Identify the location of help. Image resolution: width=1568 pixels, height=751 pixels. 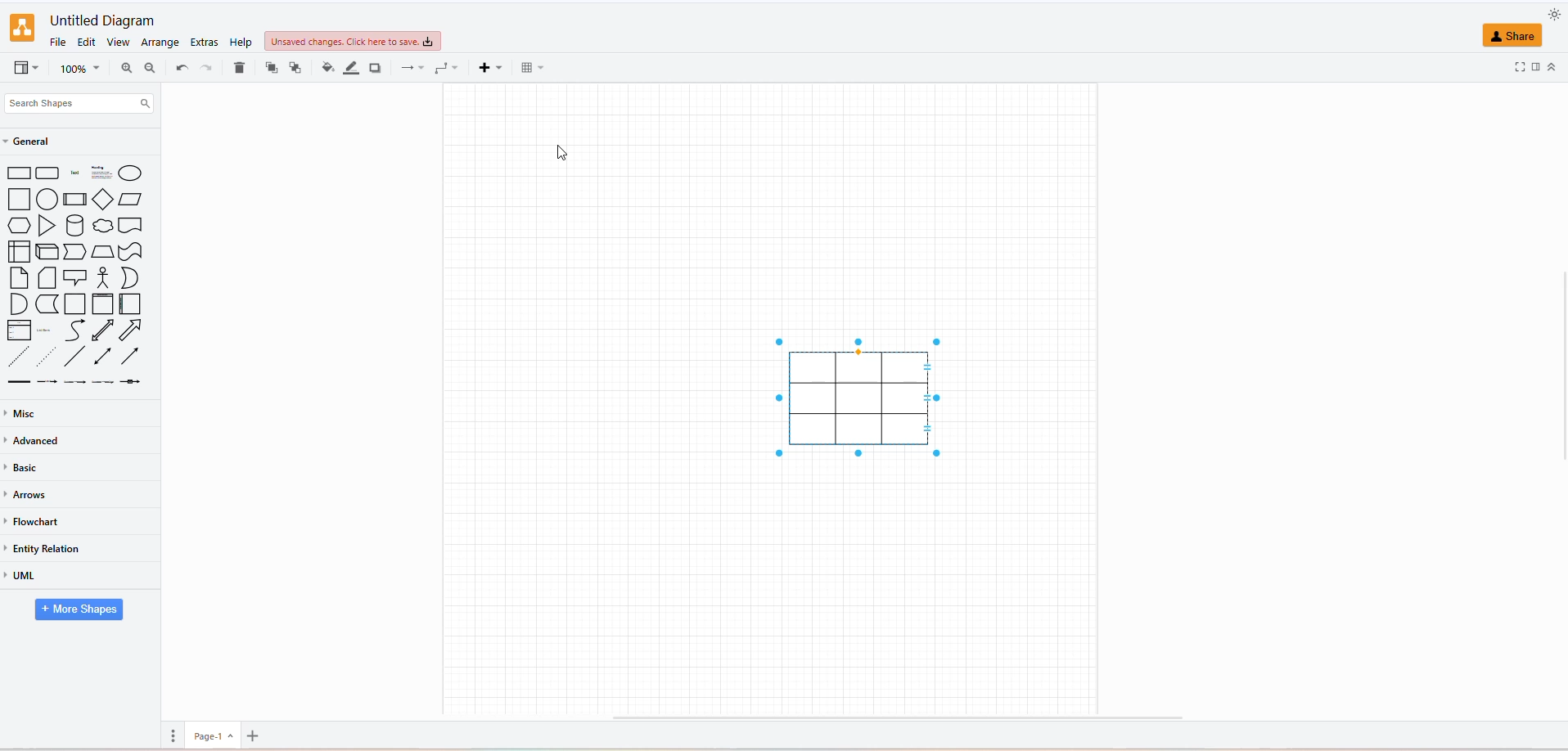
(238, 41).